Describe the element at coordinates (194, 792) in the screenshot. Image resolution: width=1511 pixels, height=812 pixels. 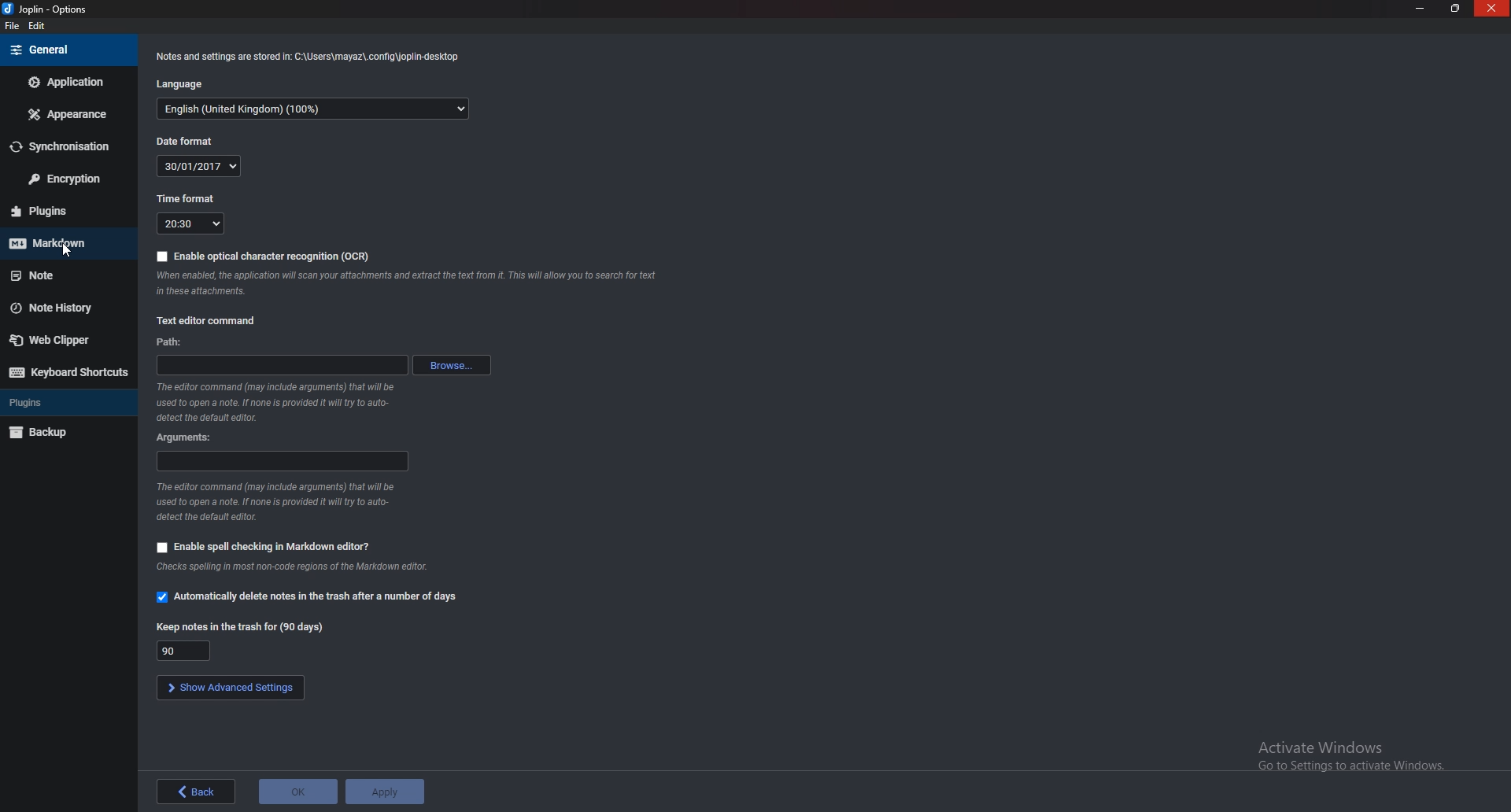
I see `back` at that location.